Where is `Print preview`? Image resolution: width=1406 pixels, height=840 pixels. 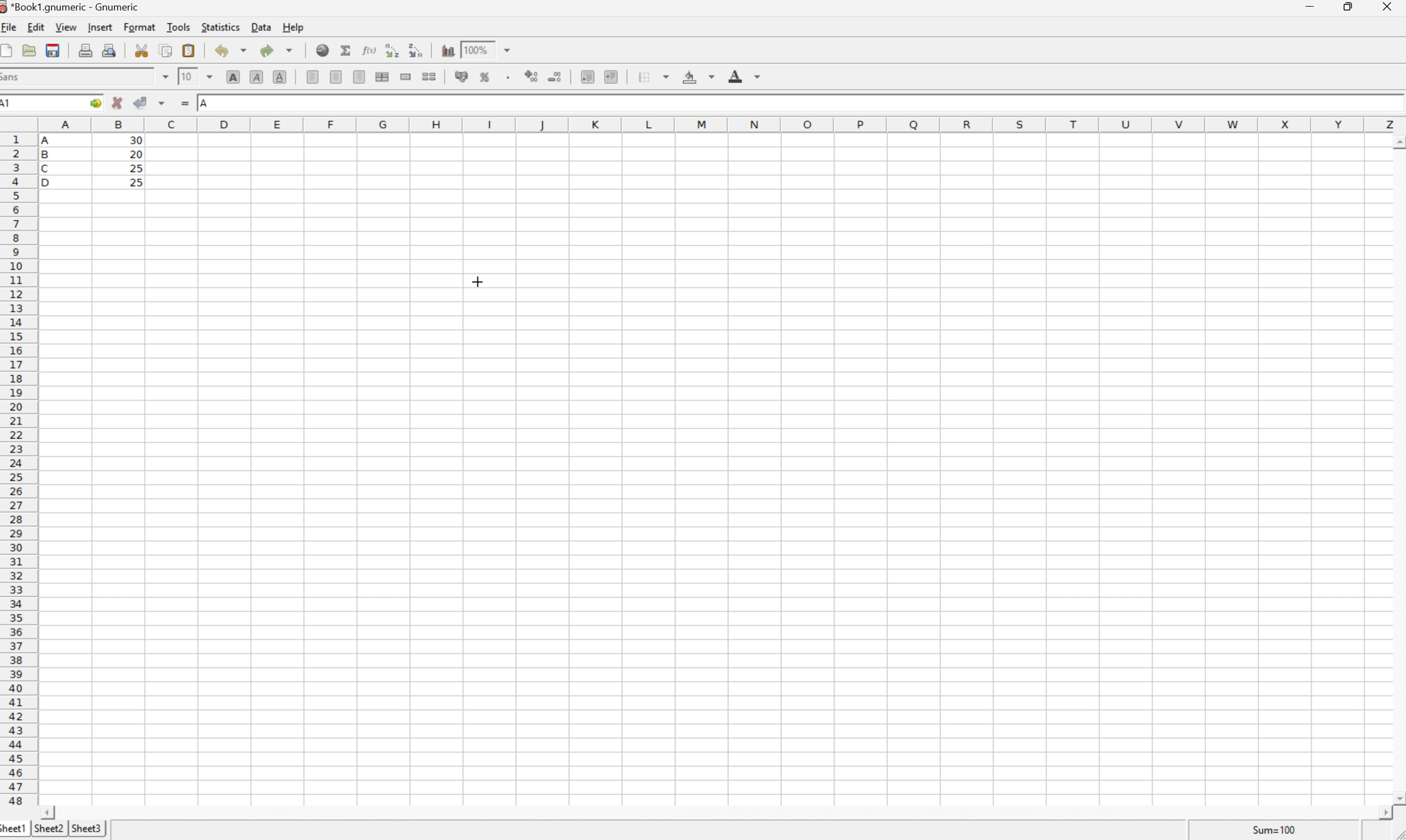
Print preview is located at coordinates (110, 49).